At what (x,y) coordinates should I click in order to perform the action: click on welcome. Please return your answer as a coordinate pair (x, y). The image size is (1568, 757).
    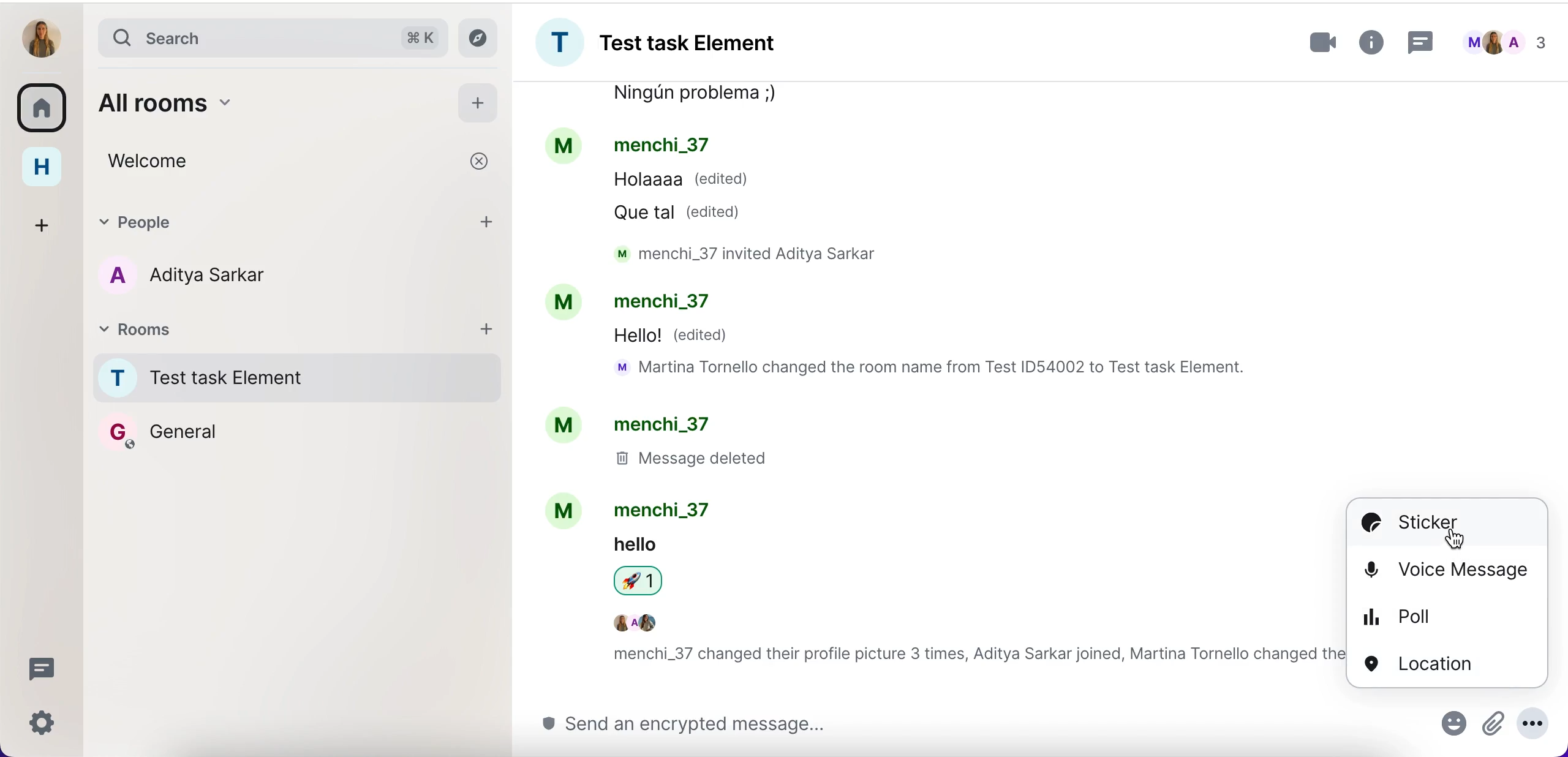
    Looking at the image, I should click on (242, 160).